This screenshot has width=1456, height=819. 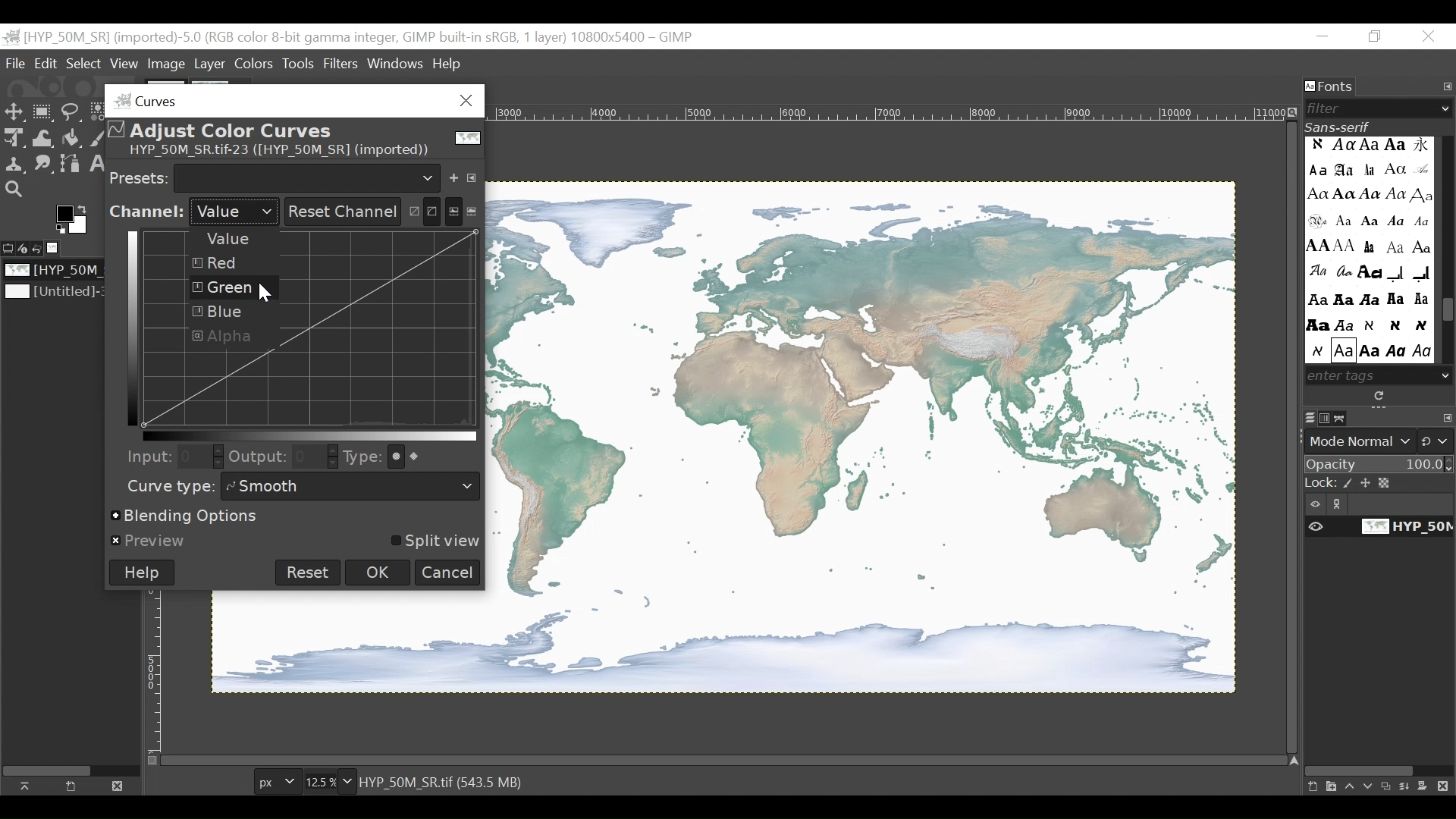 I want to click on Blending Options, so click(x=187, y=517).